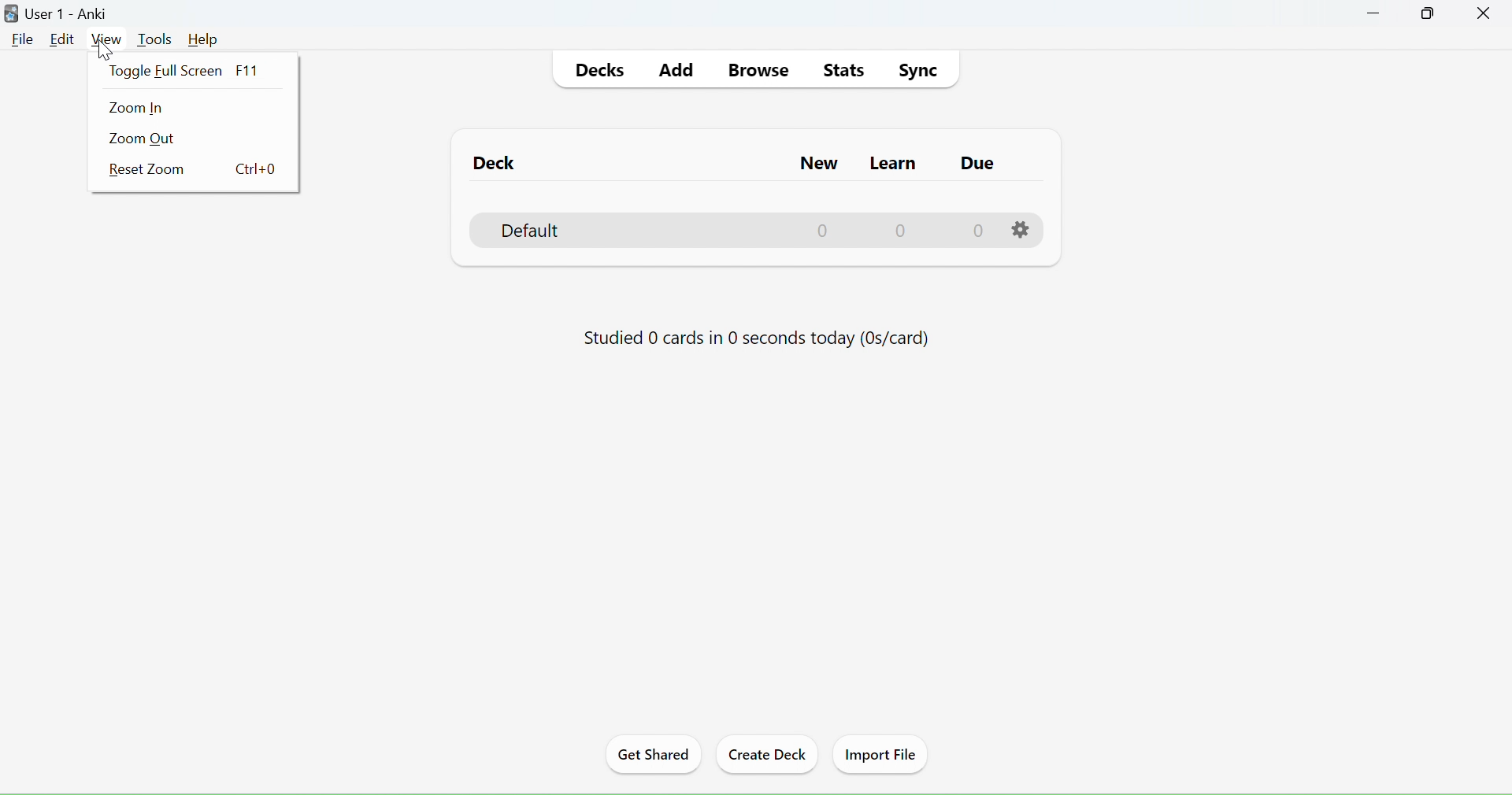 The width and height of the screenshot is (1512, 795). What do you see at coordinates (61, 39) in the screenshot?
I see `edit` at bounding box center [61, 39].